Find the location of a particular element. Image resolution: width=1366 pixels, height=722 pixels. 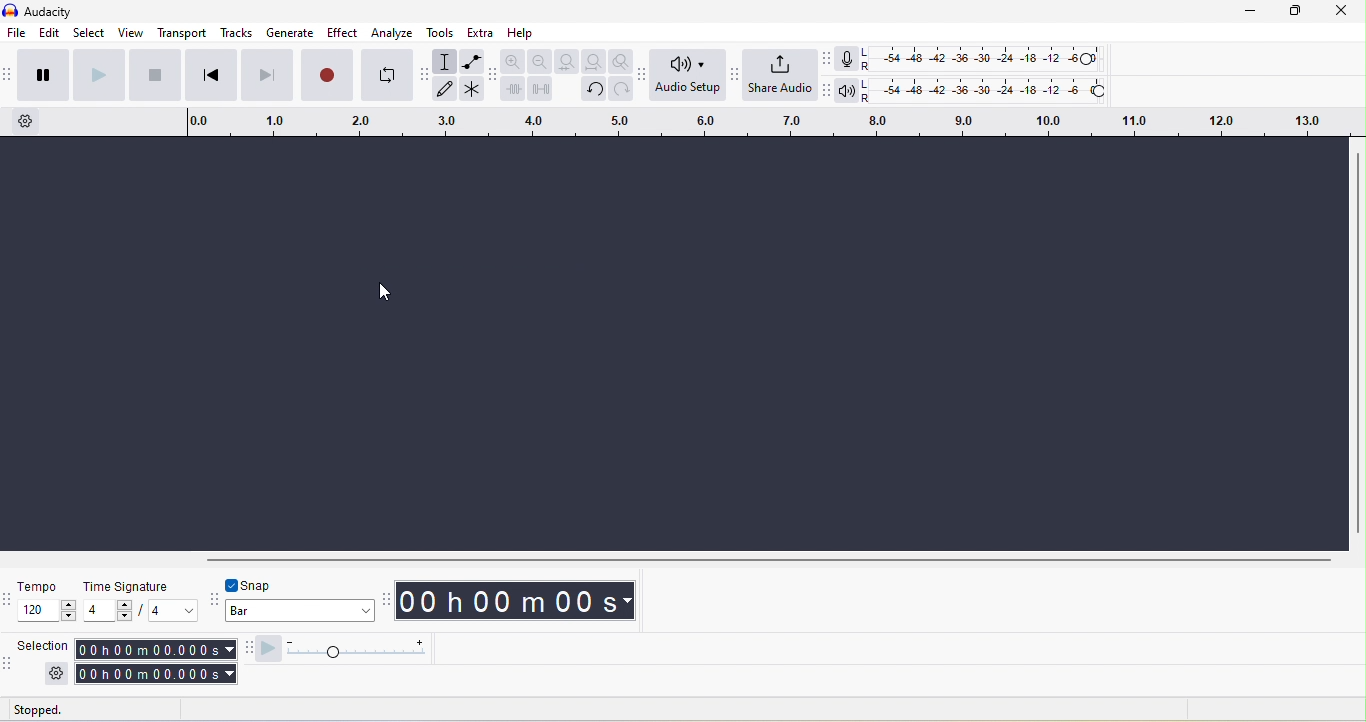

close is located at coordinates (1342, 11).